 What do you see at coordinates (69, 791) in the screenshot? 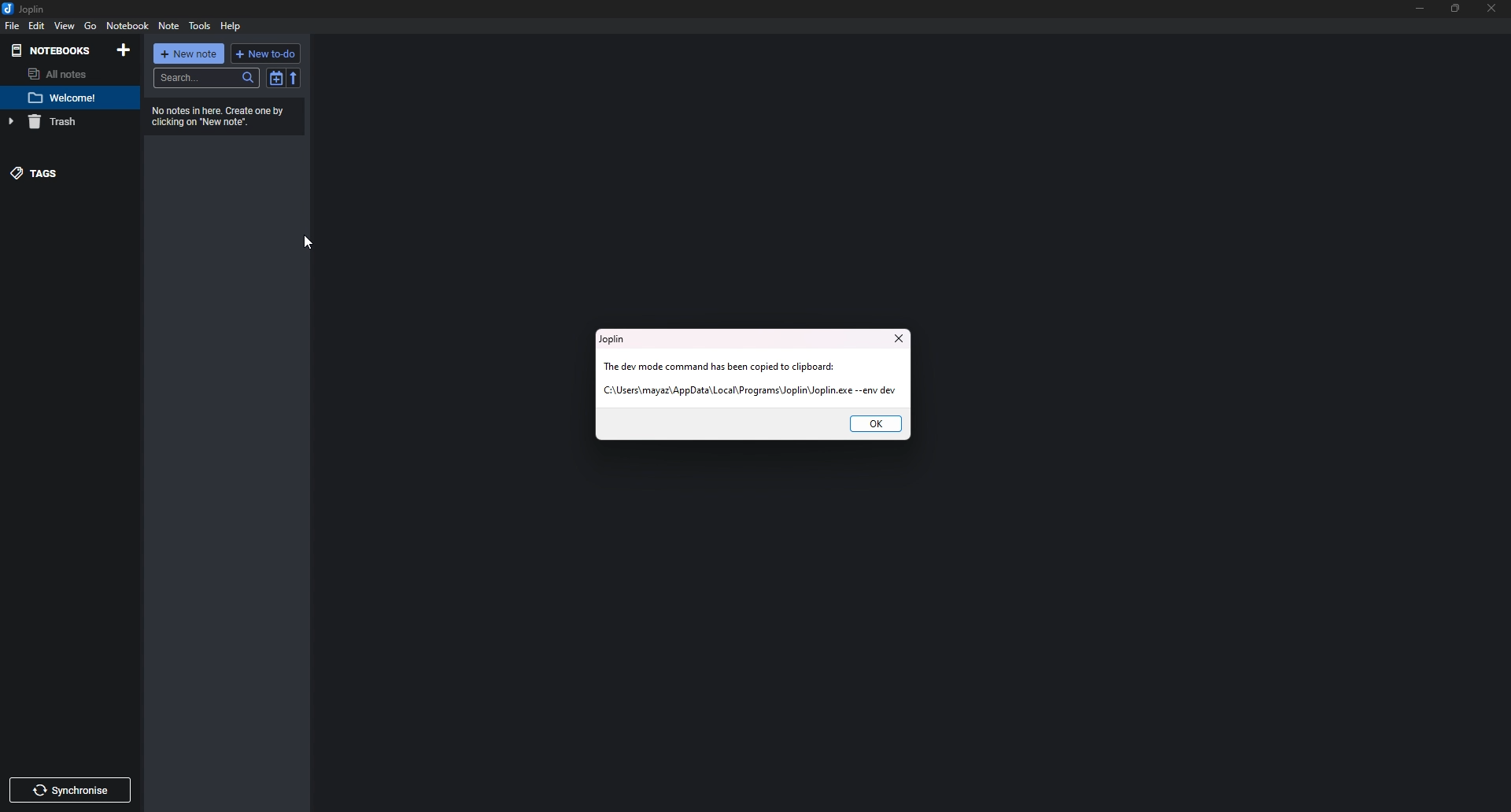
I see `Synchronize` at bounding box center [69, 791].